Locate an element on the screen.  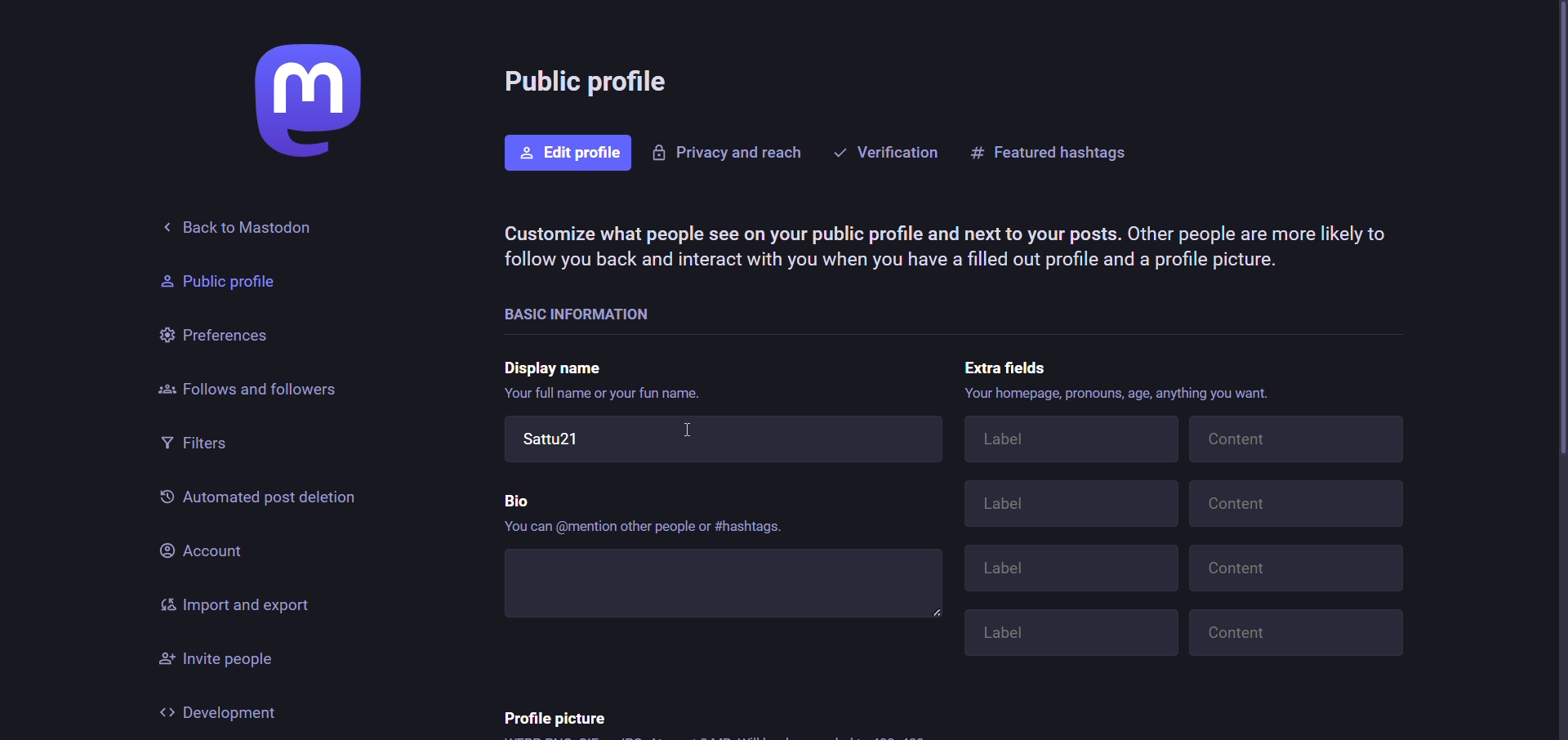
privacy and reacts is located at coordinates (727, 154).